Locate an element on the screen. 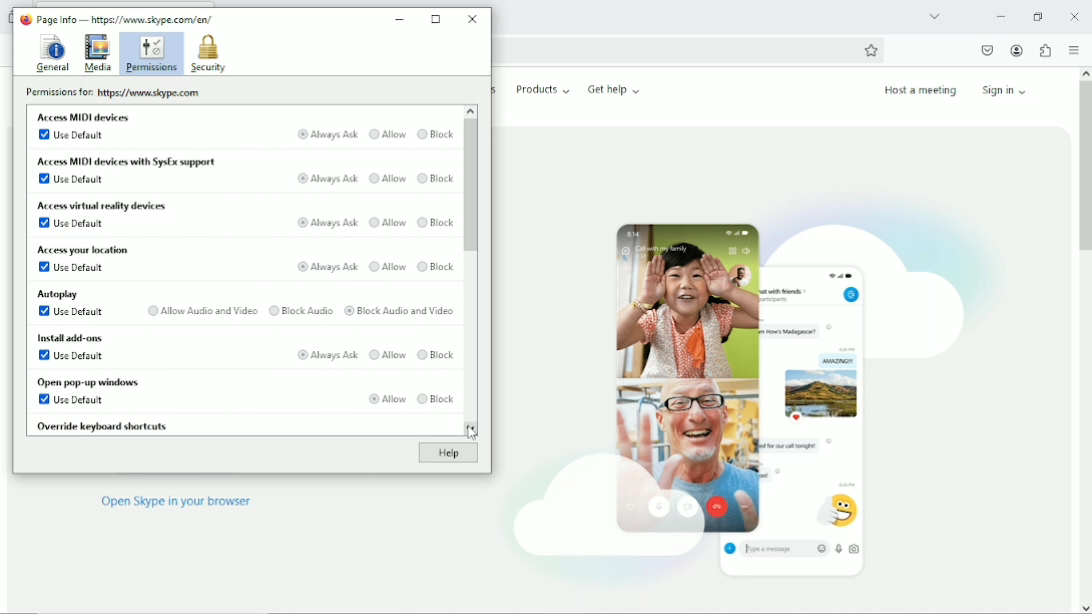 The image size is (1092, 614). Block is located at coordinates (437, 397).